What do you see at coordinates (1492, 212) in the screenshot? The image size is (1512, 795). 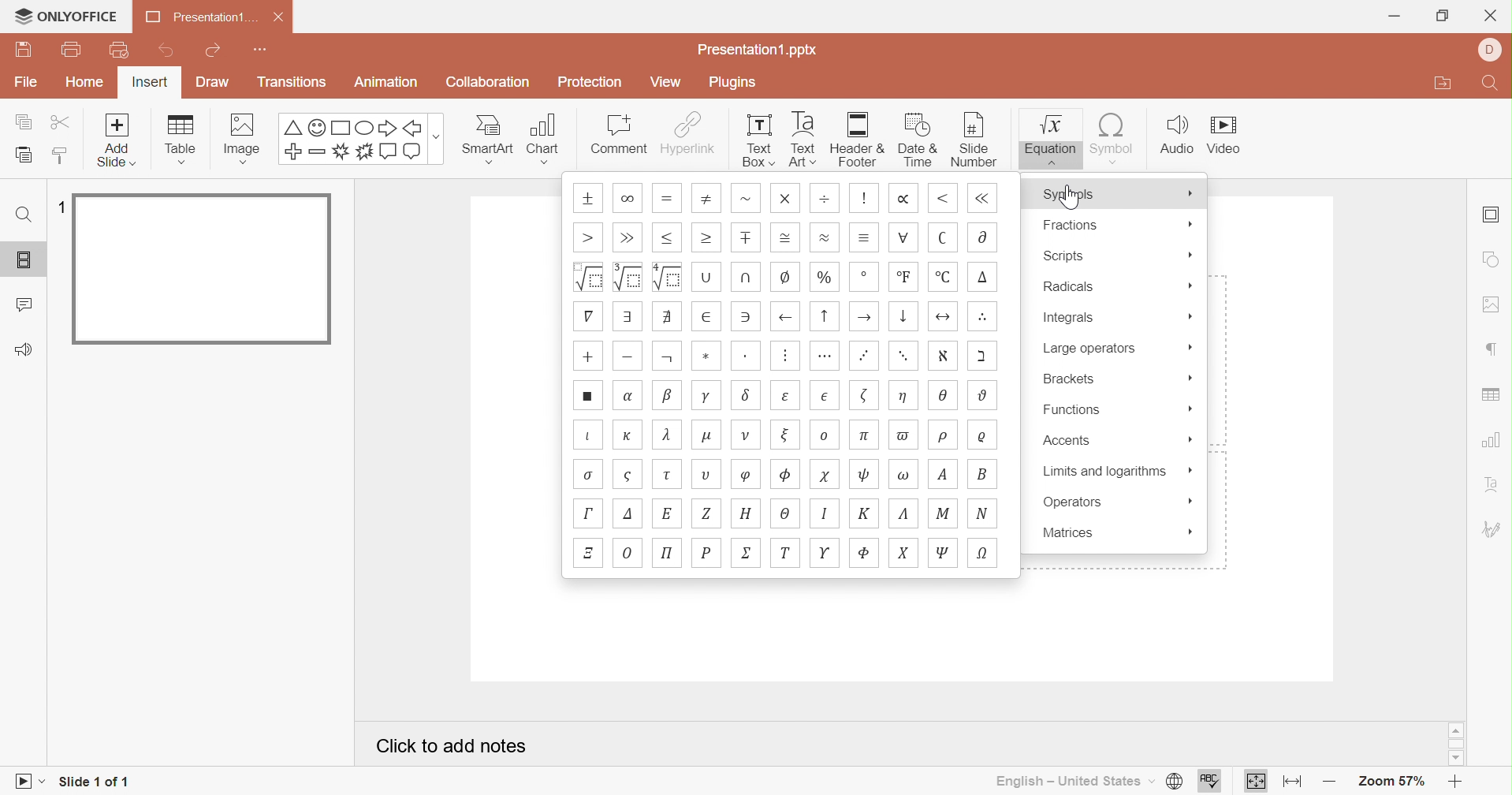 I see `Slide settings` at bounding box center [1492, 212].